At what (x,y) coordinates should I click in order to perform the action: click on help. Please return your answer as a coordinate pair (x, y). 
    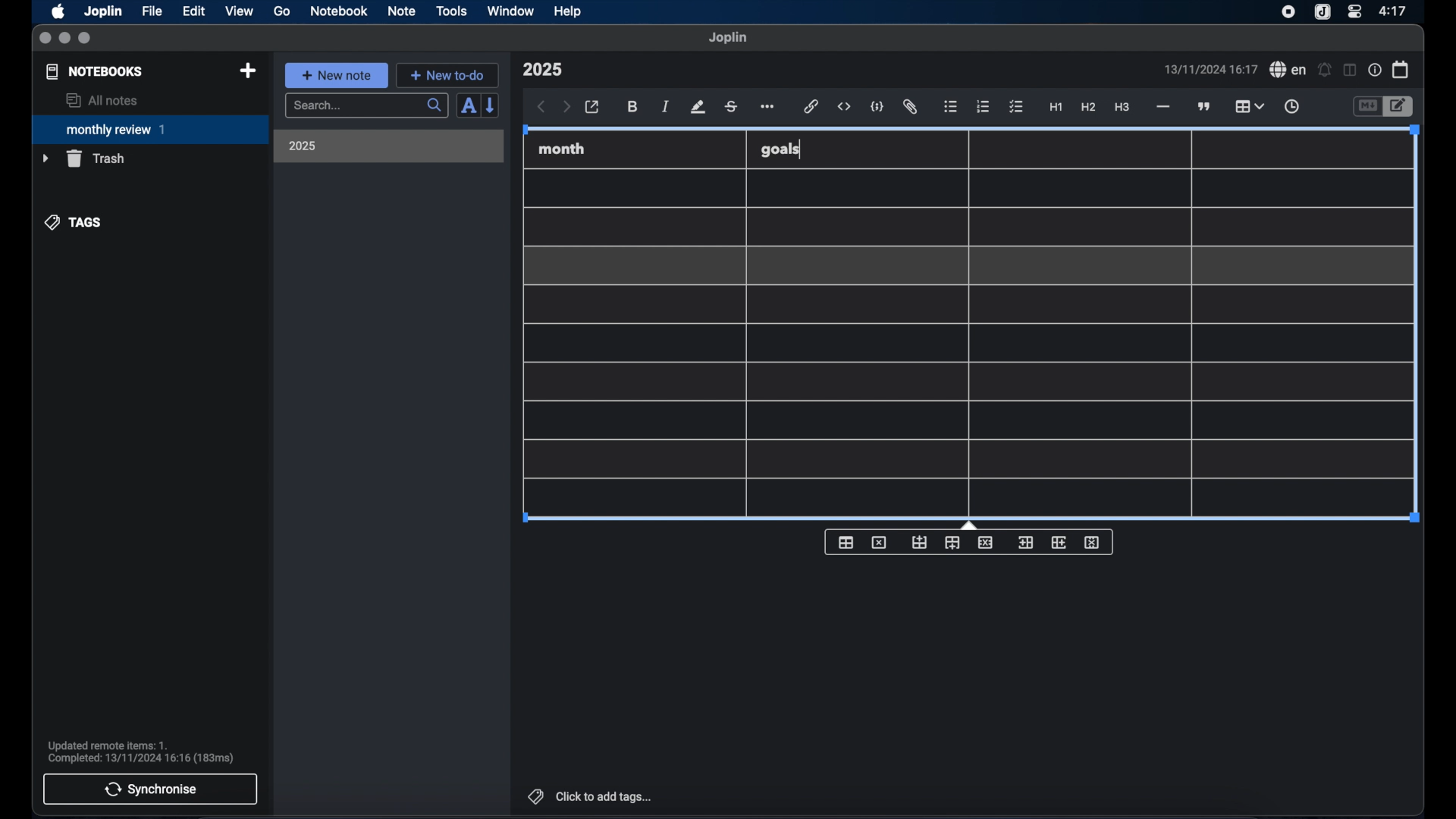
    Looking at the image, I should click on (569, 11).